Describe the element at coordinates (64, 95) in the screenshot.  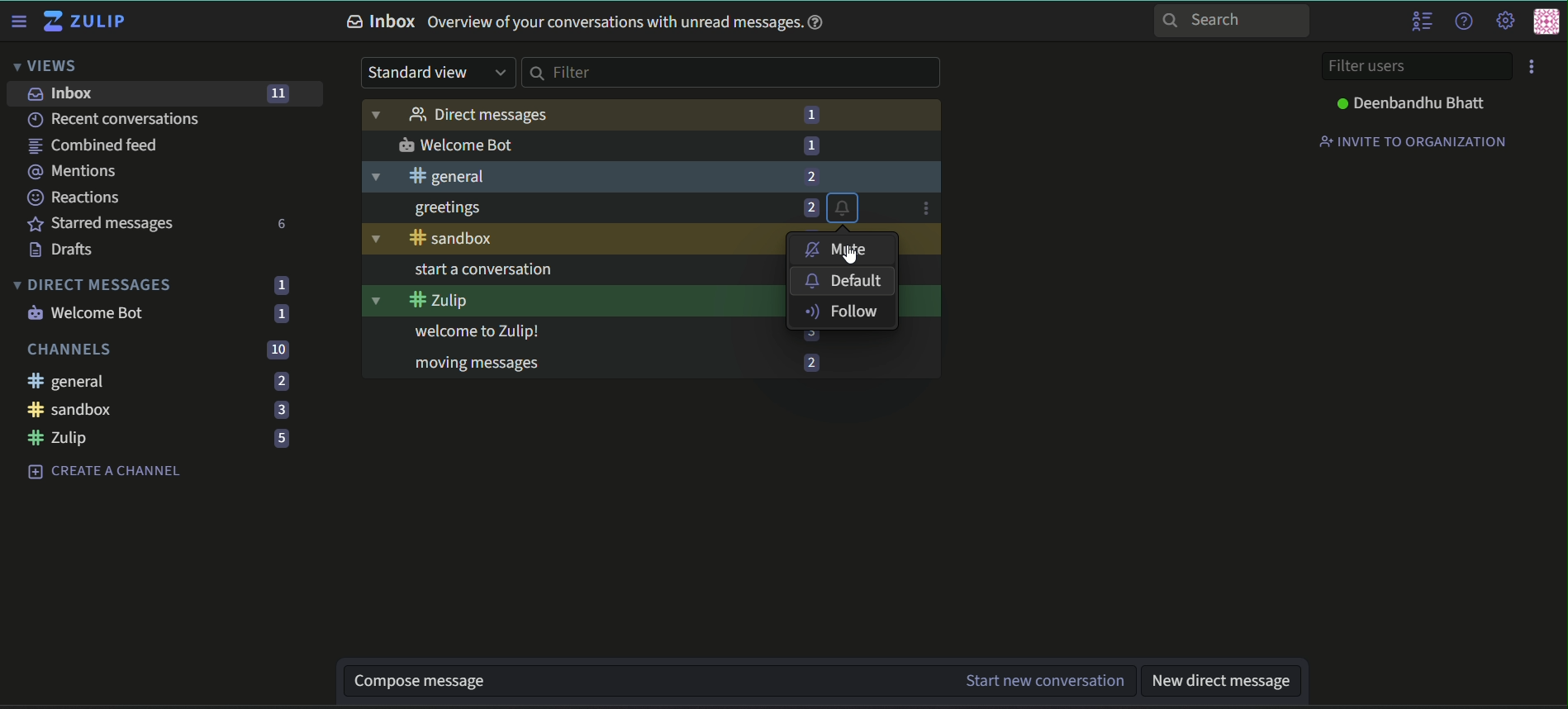
I see `inbox` at that location.